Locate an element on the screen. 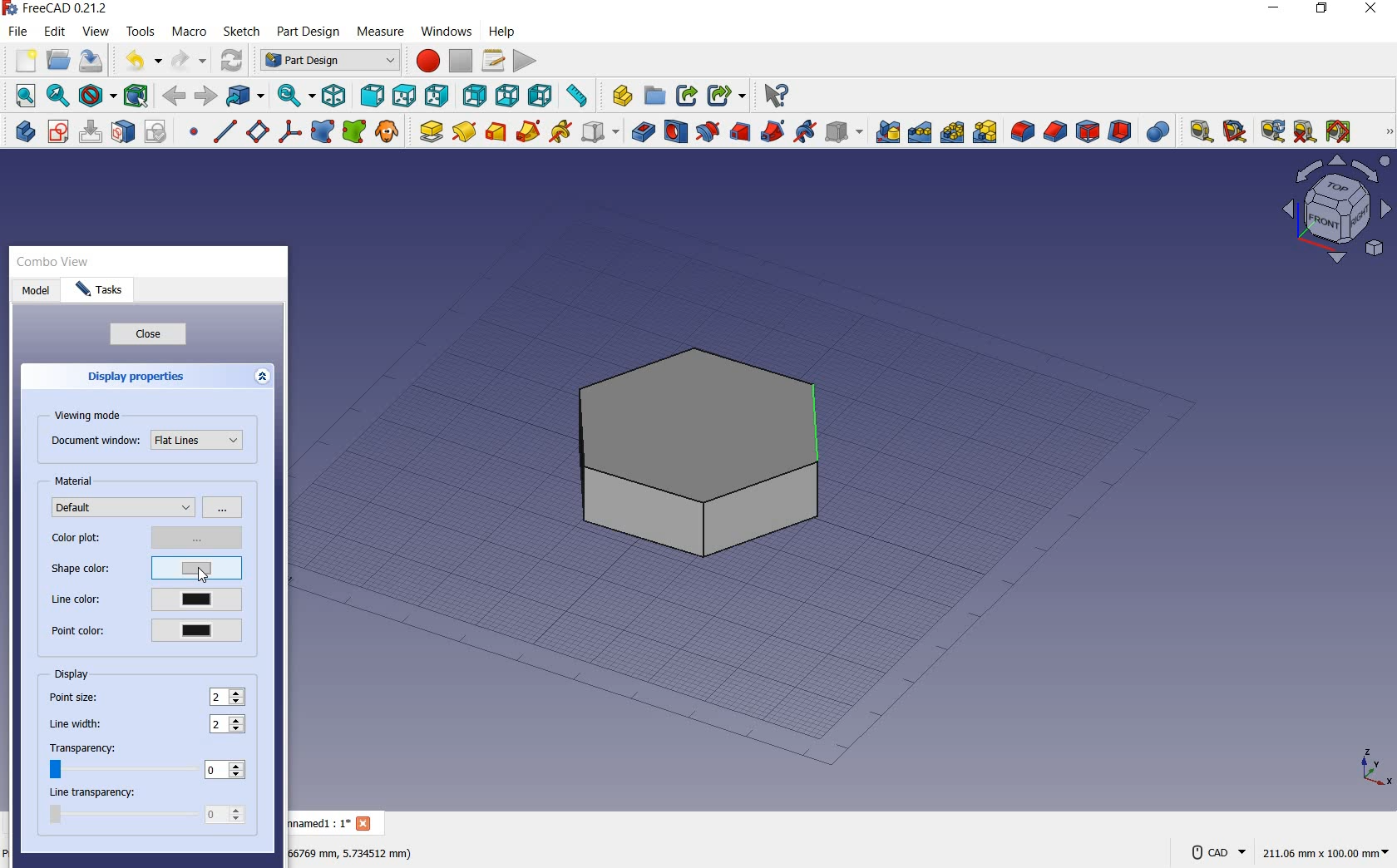 Image resolution: width=1397 pixels, height=868 pixels. save is located at coordinates (91, 60).